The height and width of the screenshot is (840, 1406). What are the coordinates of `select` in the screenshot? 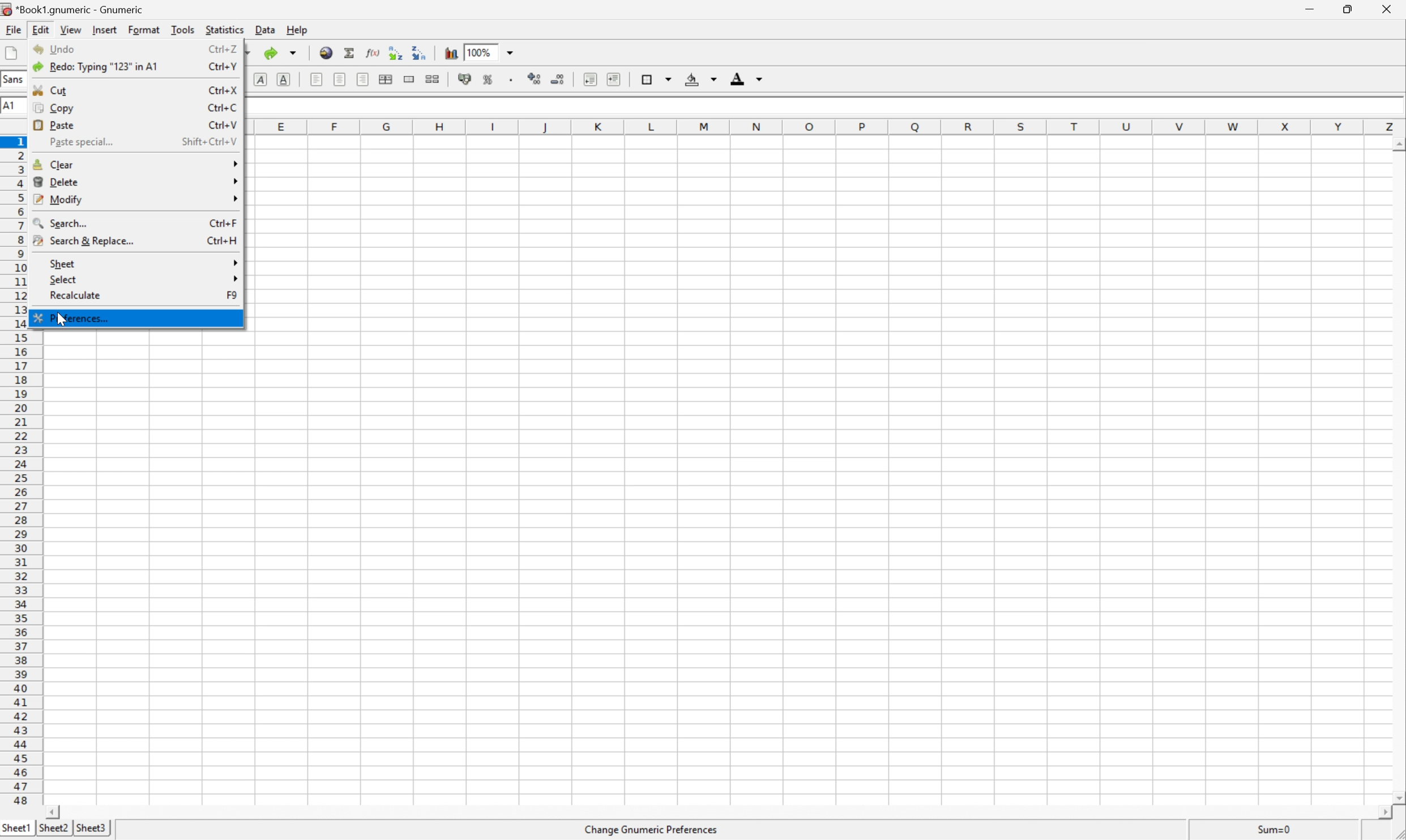 It's located at (143, 278).